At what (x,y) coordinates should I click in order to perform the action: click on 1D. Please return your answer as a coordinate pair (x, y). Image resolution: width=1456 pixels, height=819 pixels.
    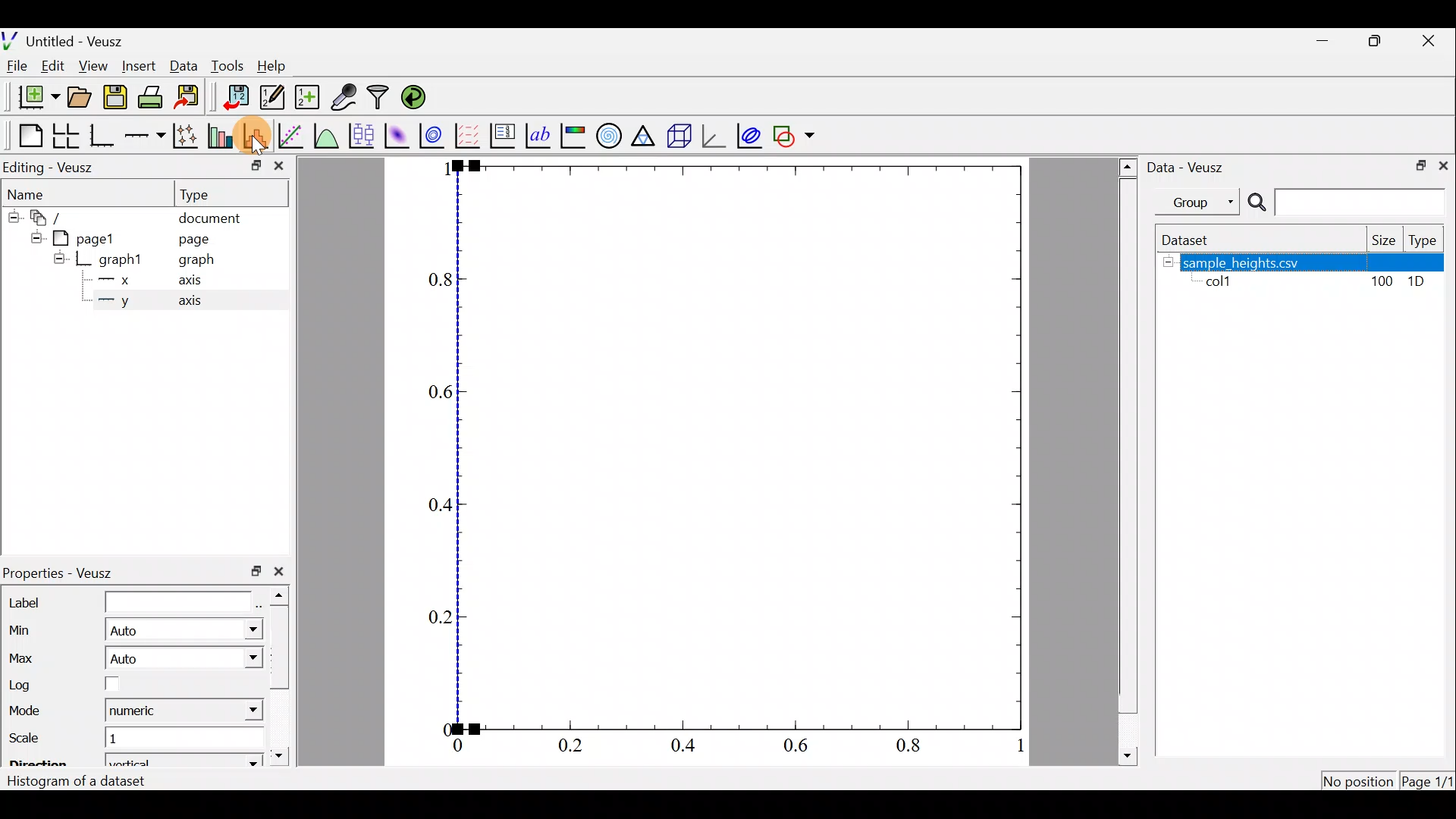
    Looking at the image, I should click on (1418, 284).